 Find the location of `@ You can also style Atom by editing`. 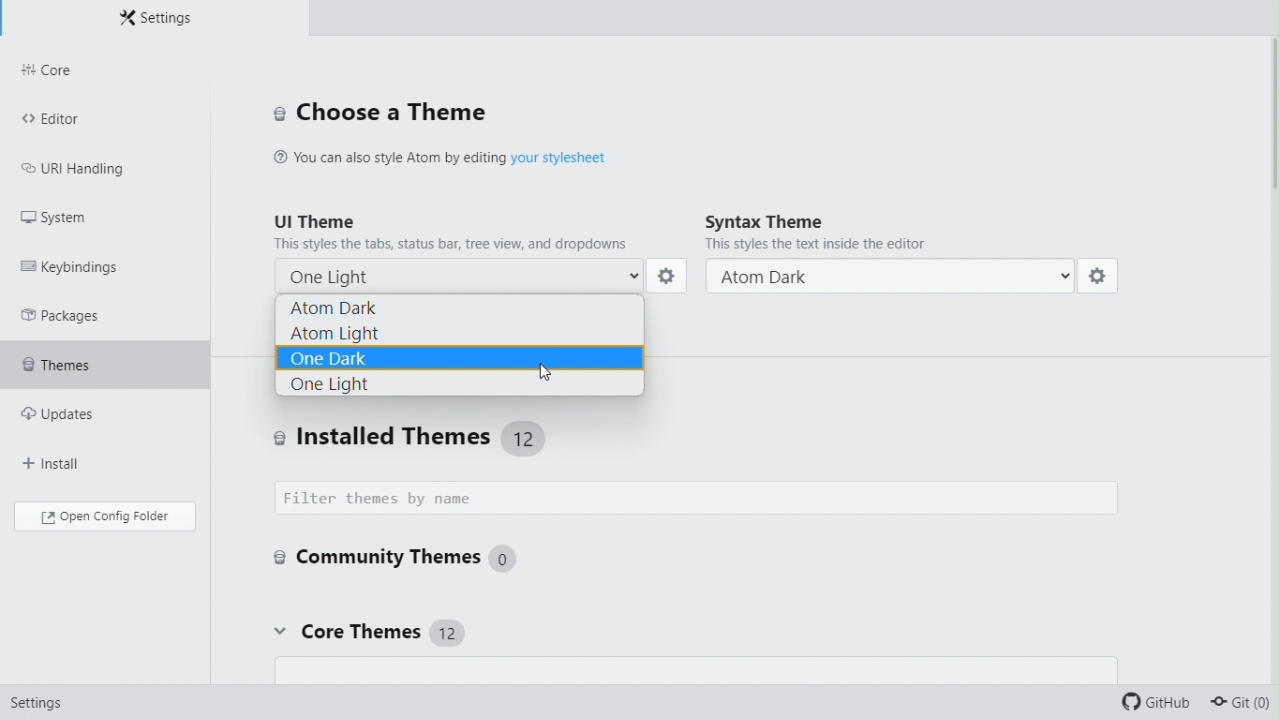

@ You can also style Atom by editing is located at coordinates (389, 159).